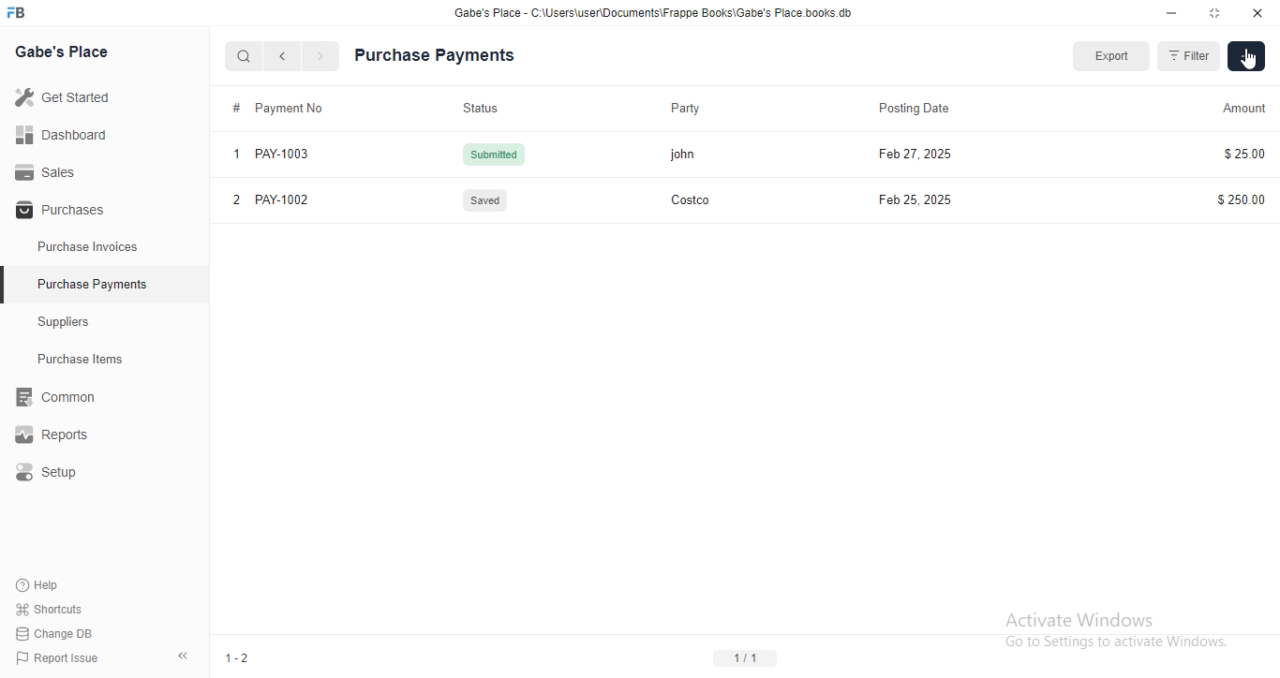 The image size is (1280, 678). What do you see at coordinates (45, 171) in the screenshot?
I see `Sales` at bounding box center [45, 171].